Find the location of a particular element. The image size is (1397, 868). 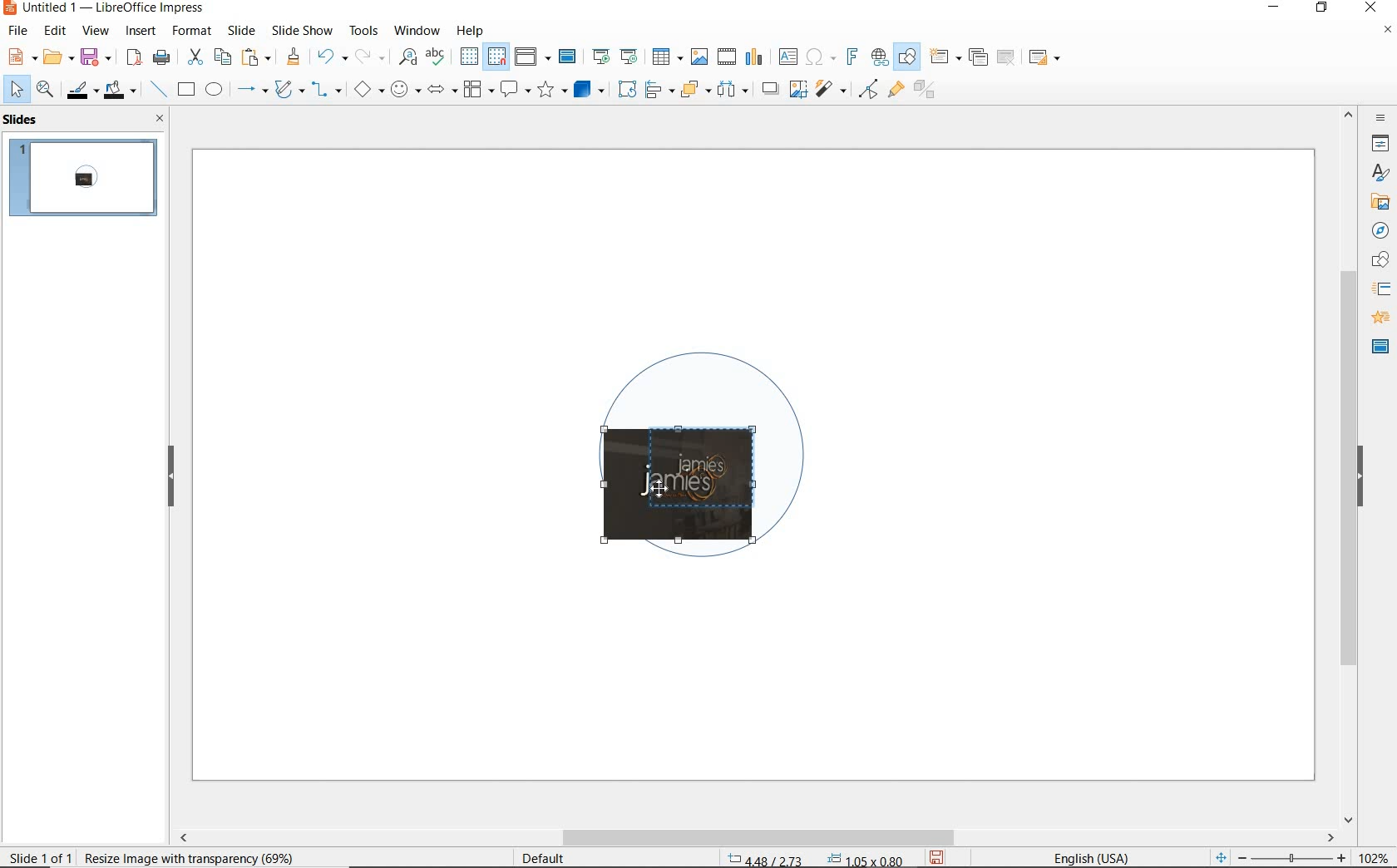

scrollbar is located at coordinates (755, 837).